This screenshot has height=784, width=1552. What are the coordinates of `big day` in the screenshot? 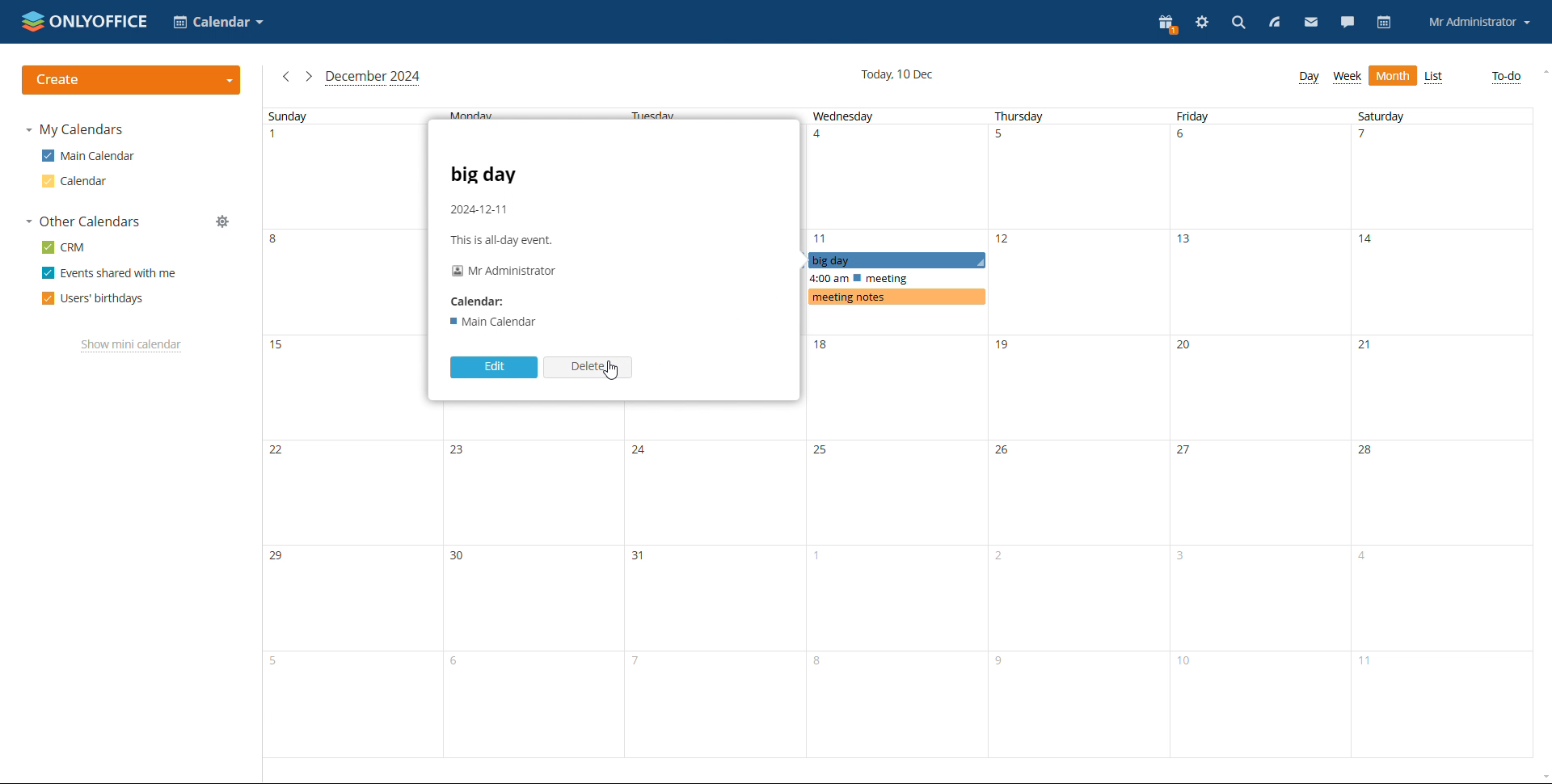 It's located at (483, 176).